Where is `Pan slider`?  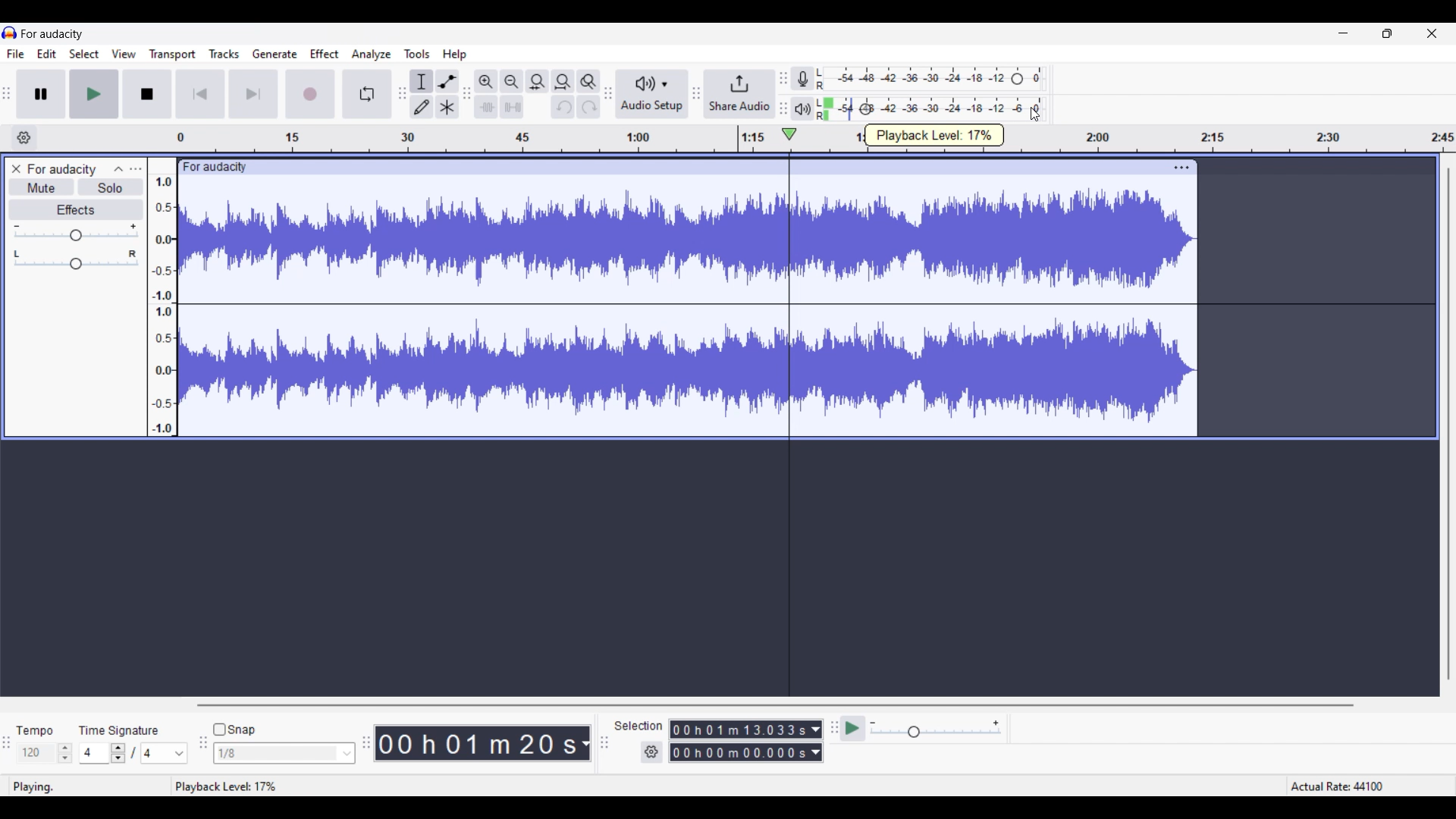
Pan slider is located at coordinates (75, 259).